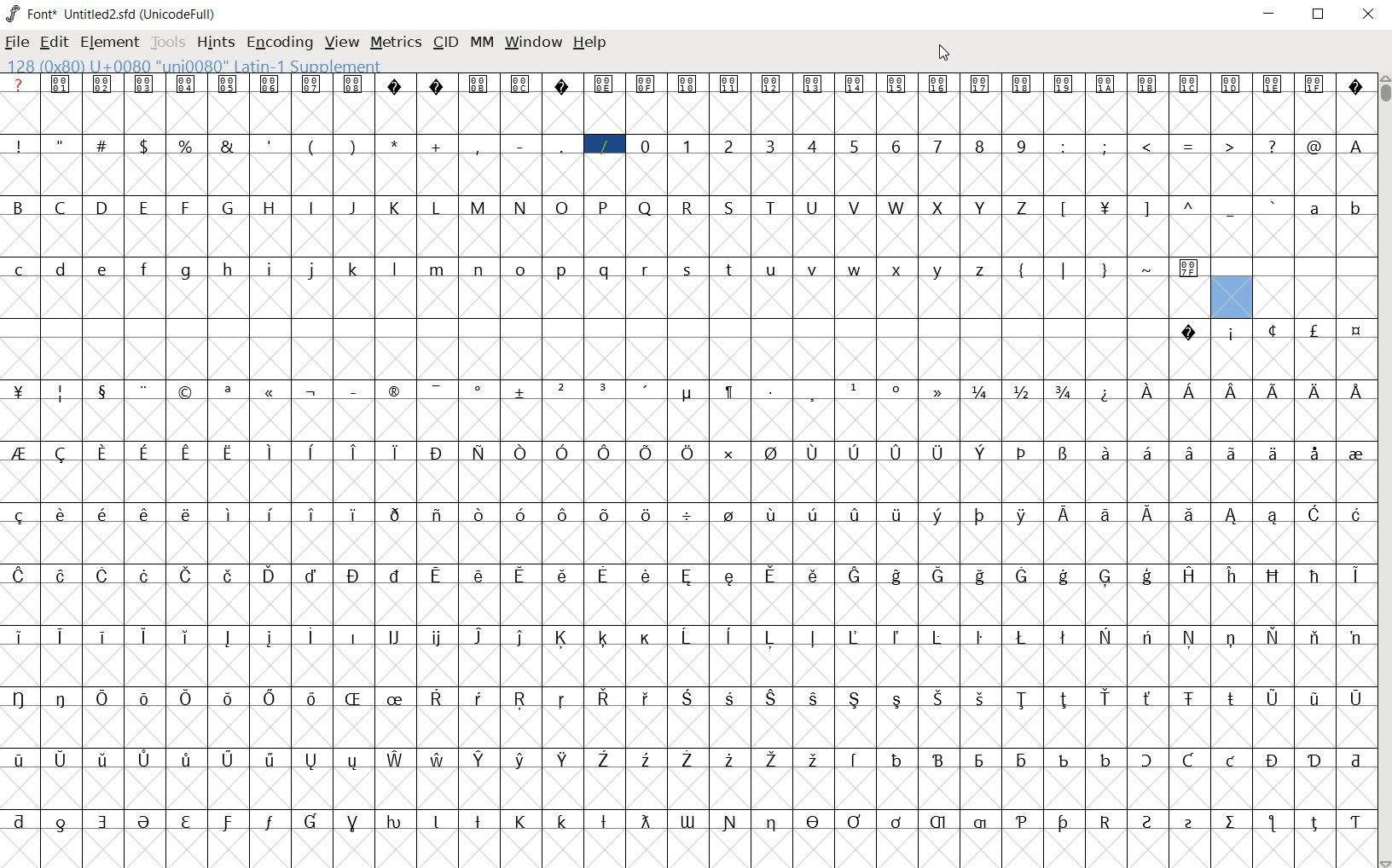 The height and width of the screenshot is (868, 1392). I want to click on glyph, so click(355, 392).